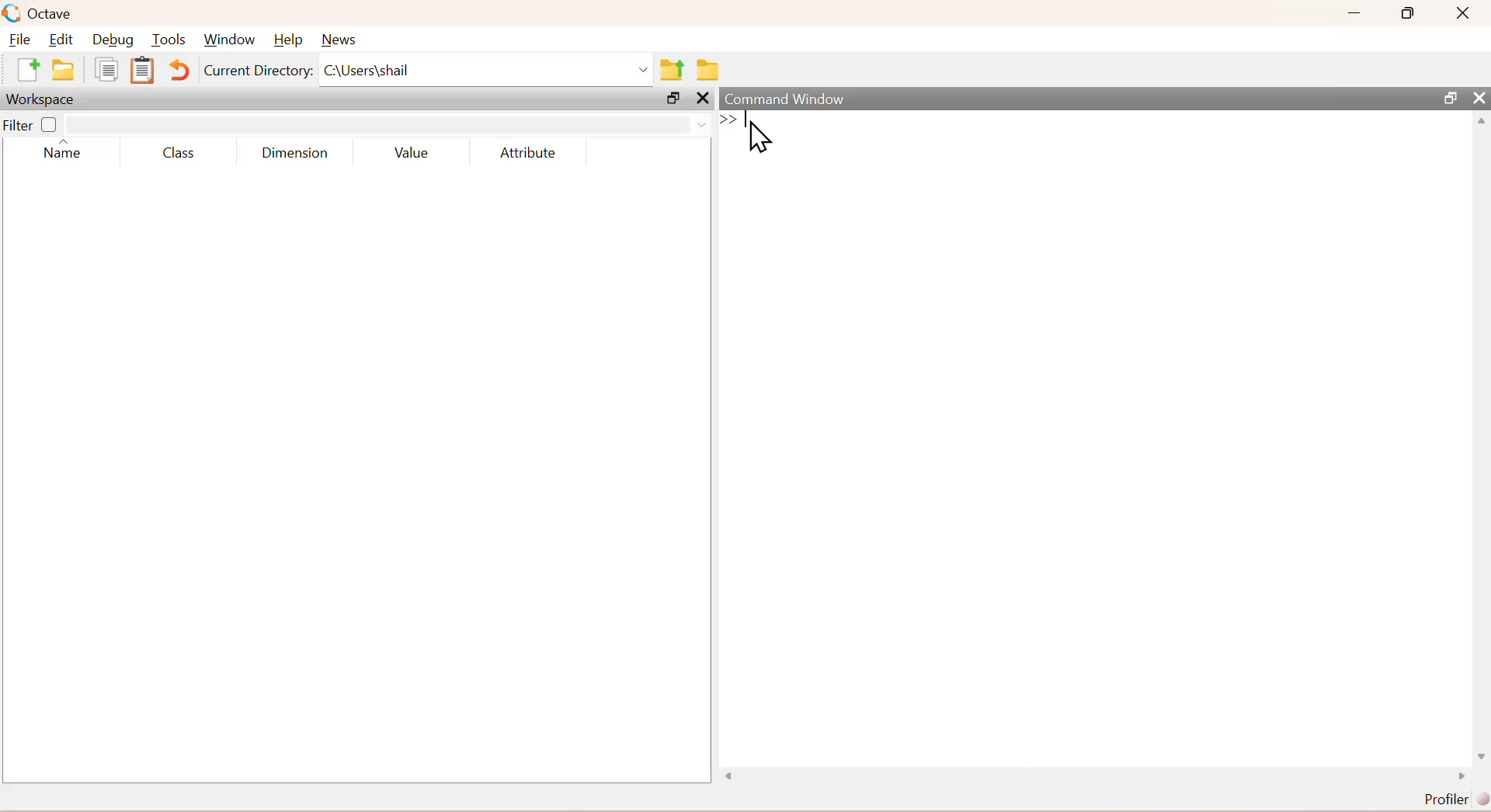 Image resolution: width=1491 pixels, height=812 pixels. I want to click on one directory up, so click(671, 70).